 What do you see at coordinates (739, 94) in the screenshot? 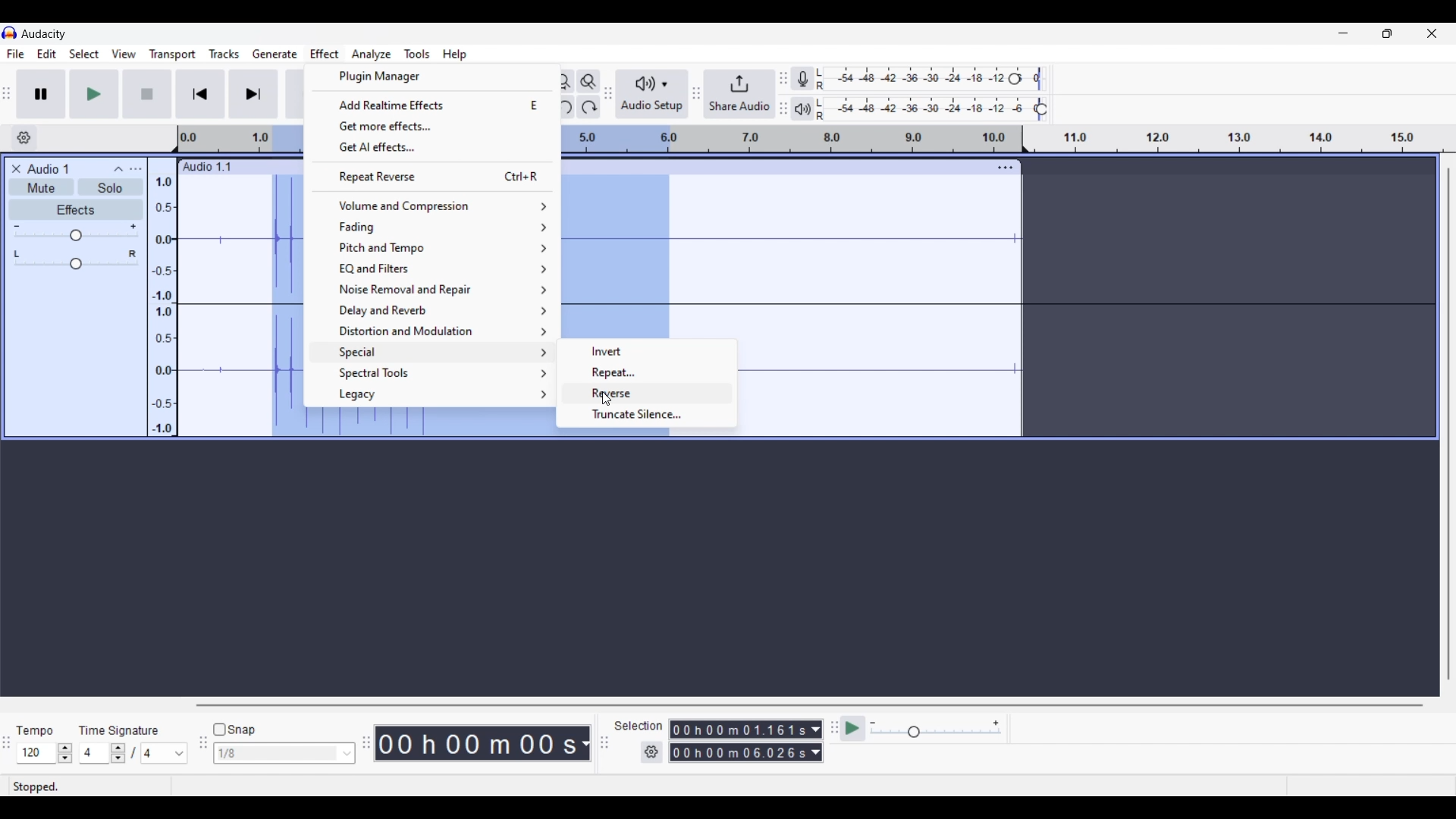
I see `Share audio` at bounding box center [739, 94].